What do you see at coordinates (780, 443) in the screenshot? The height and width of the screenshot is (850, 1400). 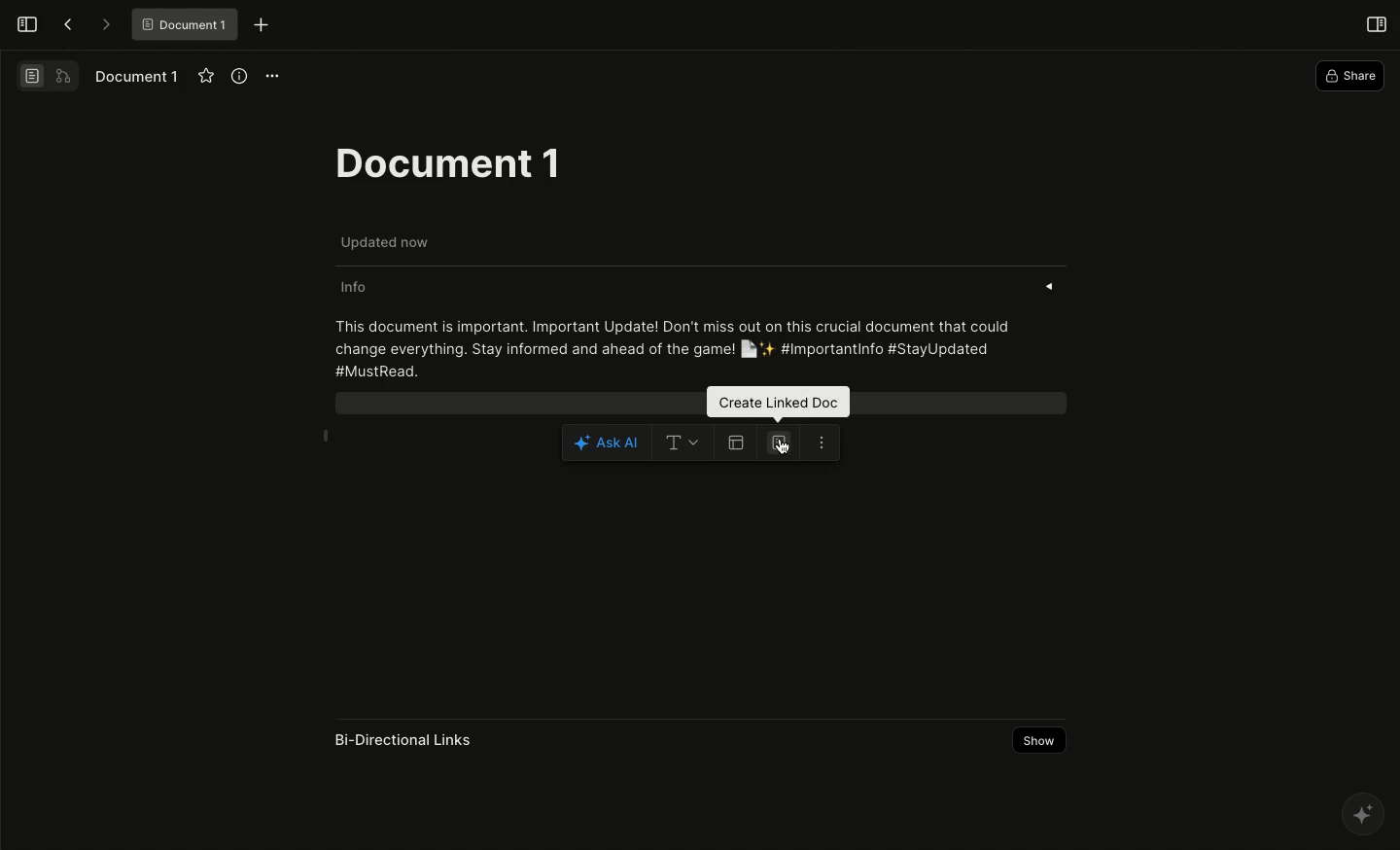 I see `Create linked doc` at bounding box center [780, 443].